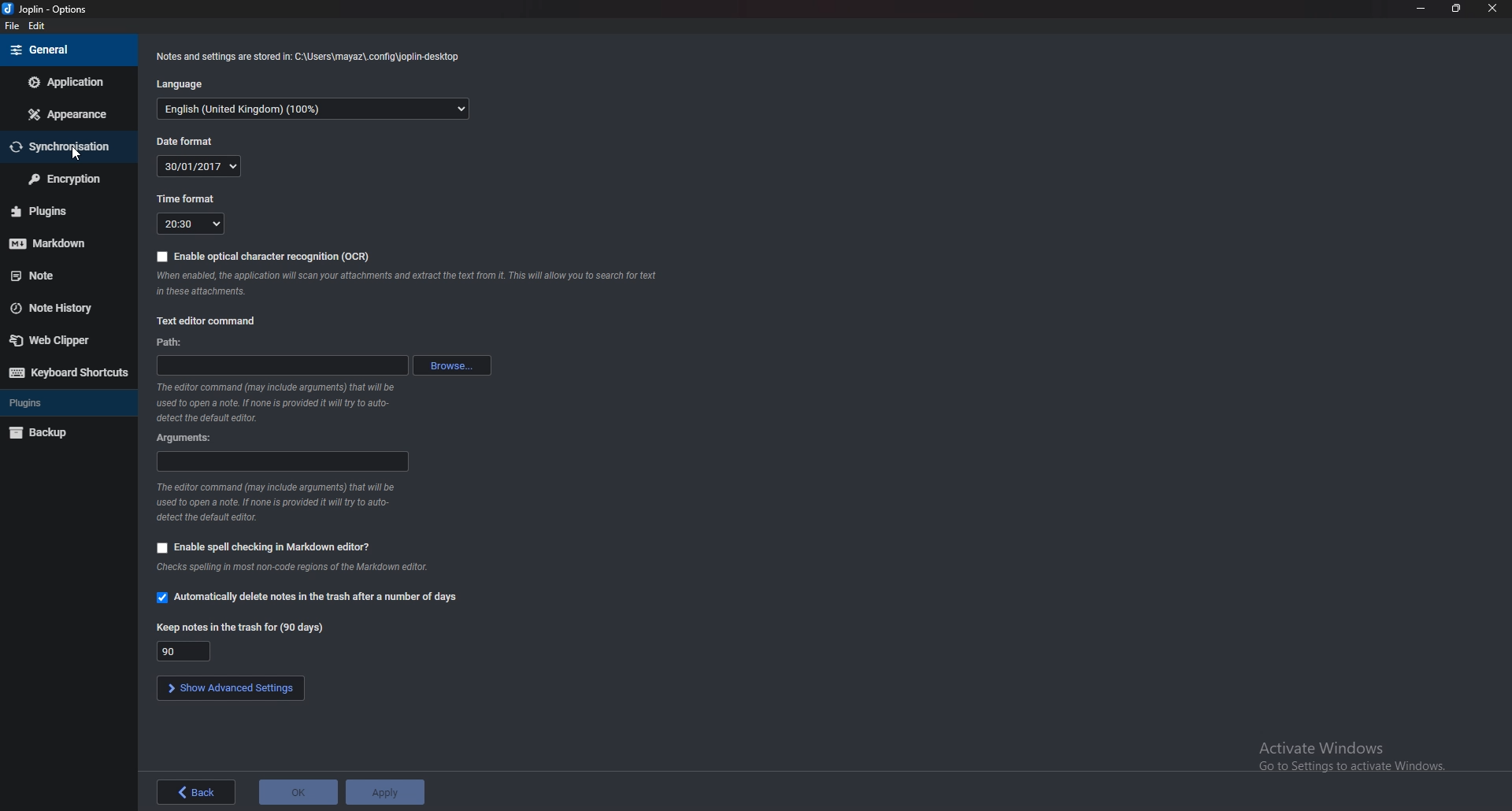  I want to click on plugins, so click(56, 211).